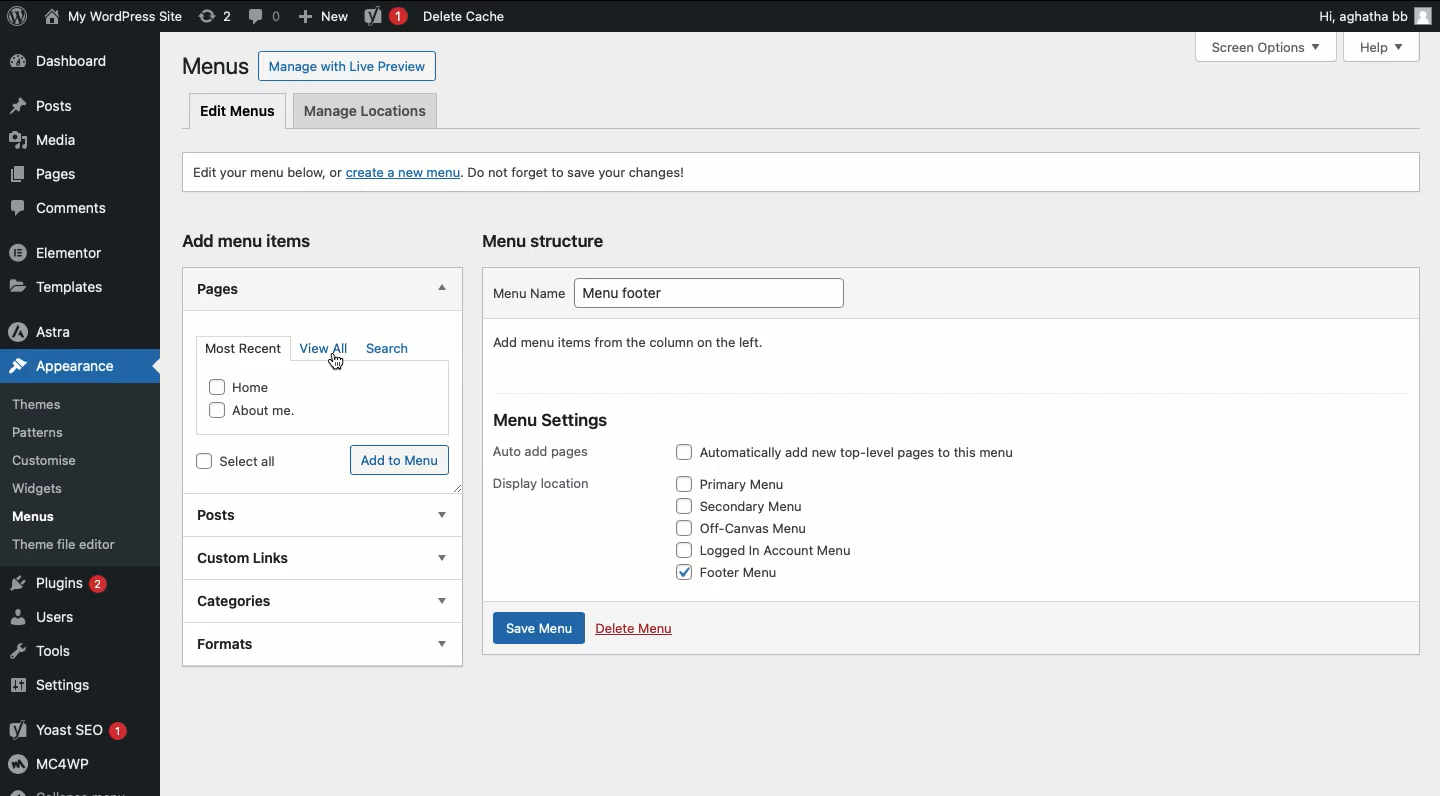  I want to click on  Do not forget to save your changes!, so click(593, 174).